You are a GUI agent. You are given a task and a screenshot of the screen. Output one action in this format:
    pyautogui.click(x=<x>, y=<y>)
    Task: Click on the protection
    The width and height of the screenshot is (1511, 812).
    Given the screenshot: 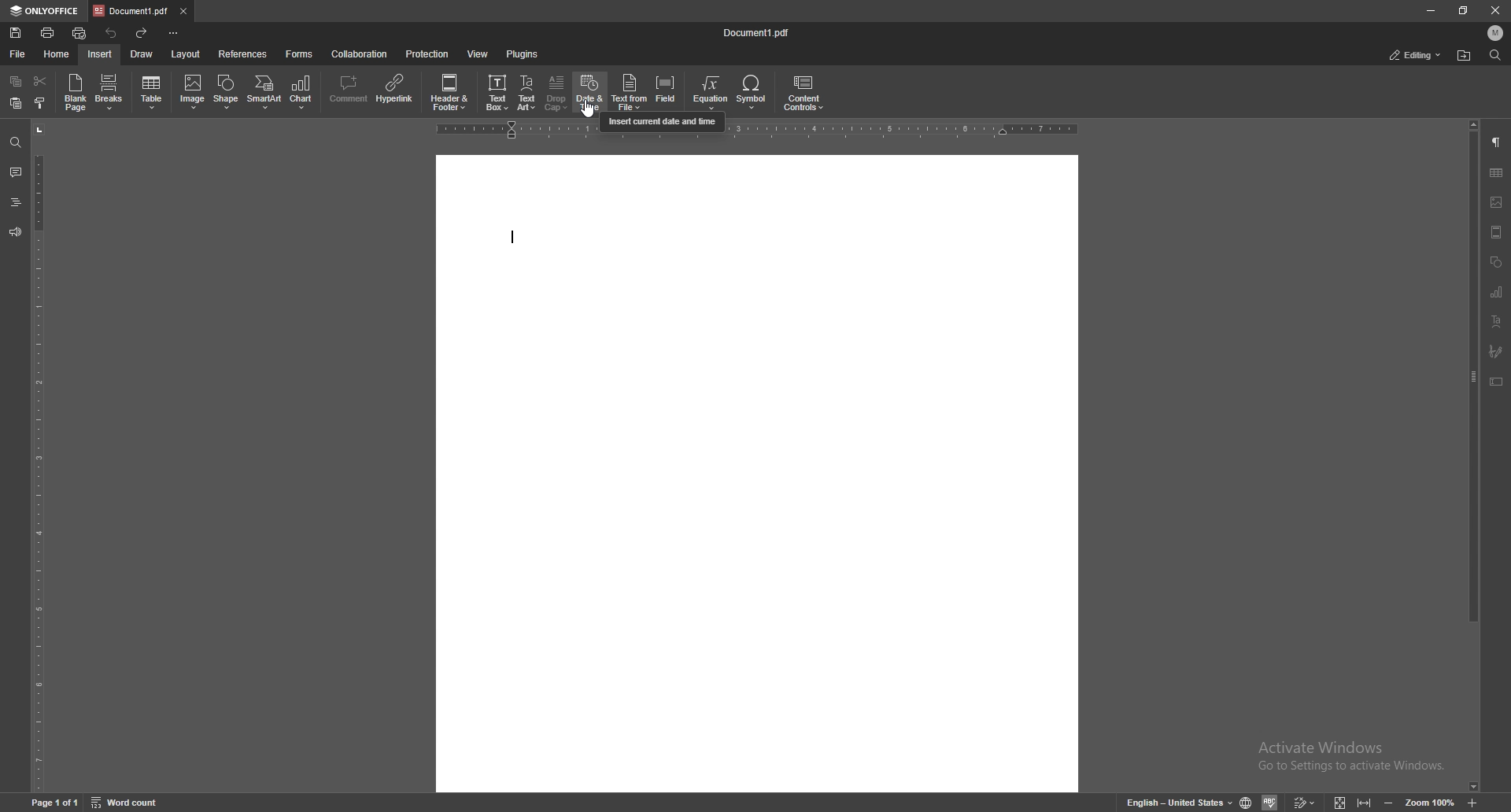 What is the action you would take?
    pyautogui.click(x=428, y=54)
    